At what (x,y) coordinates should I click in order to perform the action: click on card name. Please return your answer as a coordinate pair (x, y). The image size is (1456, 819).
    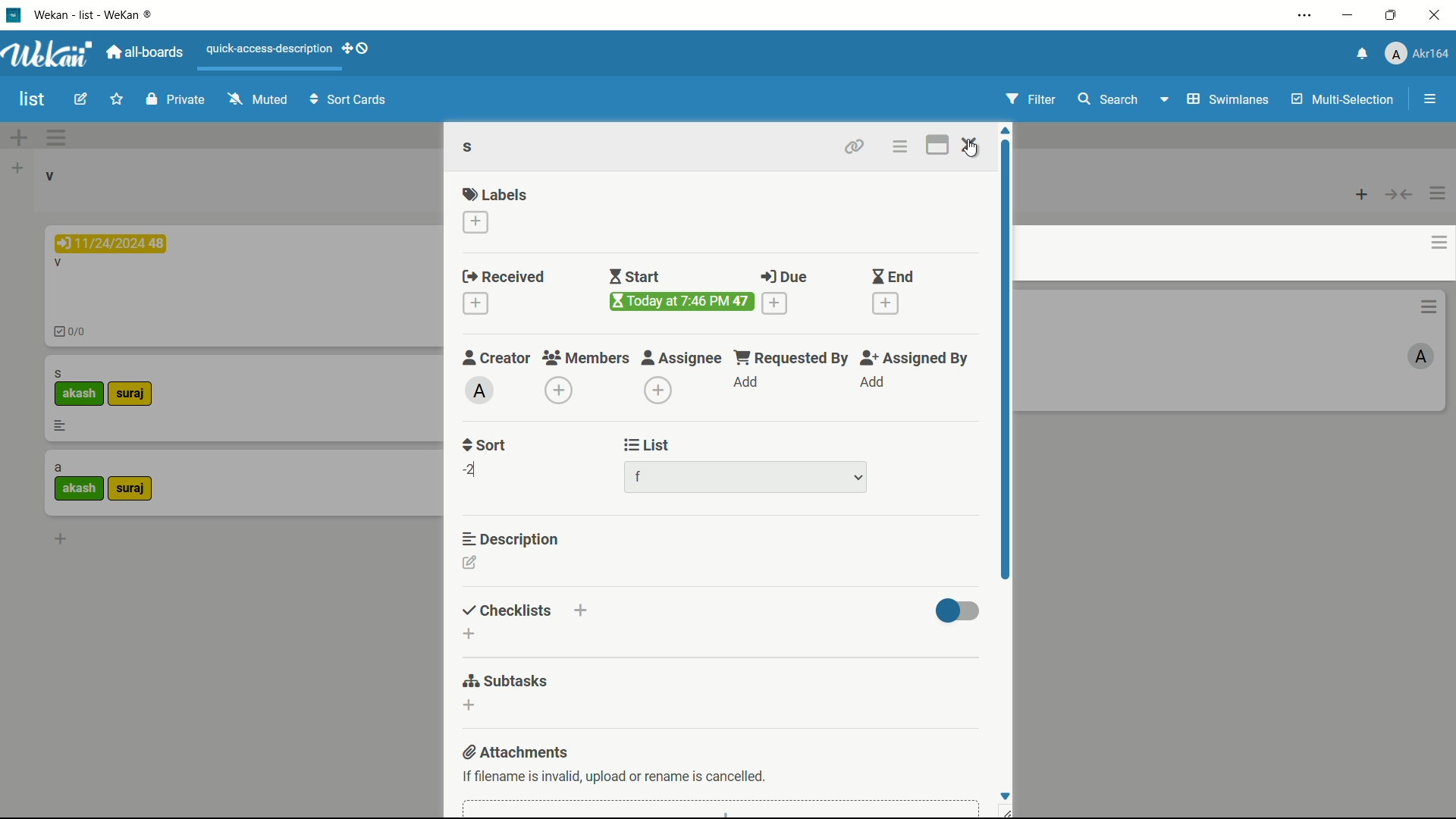
    Looking at the image, I should click on (58, 265).